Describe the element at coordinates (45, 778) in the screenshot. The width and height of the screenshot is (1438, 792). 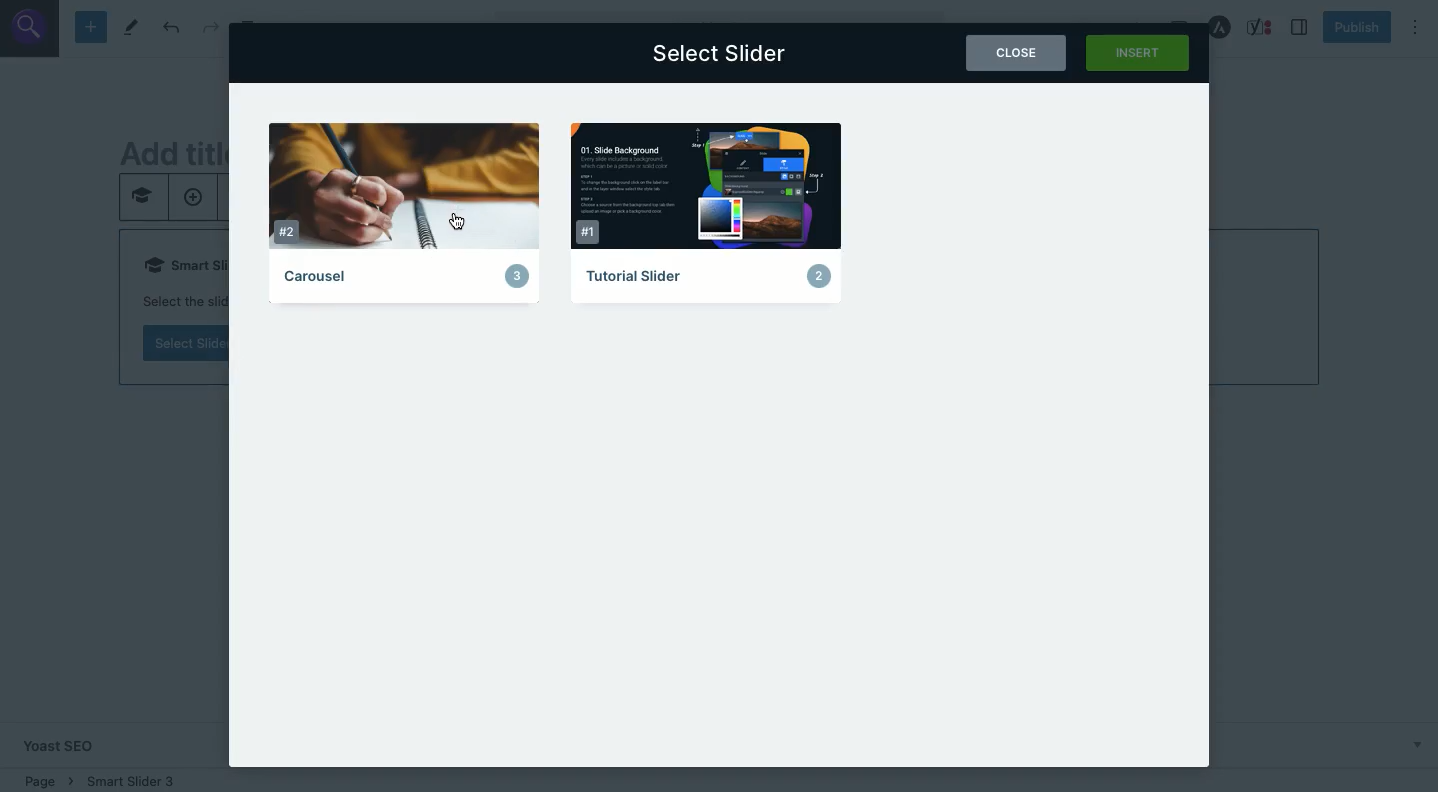
I see `Location` at that location.